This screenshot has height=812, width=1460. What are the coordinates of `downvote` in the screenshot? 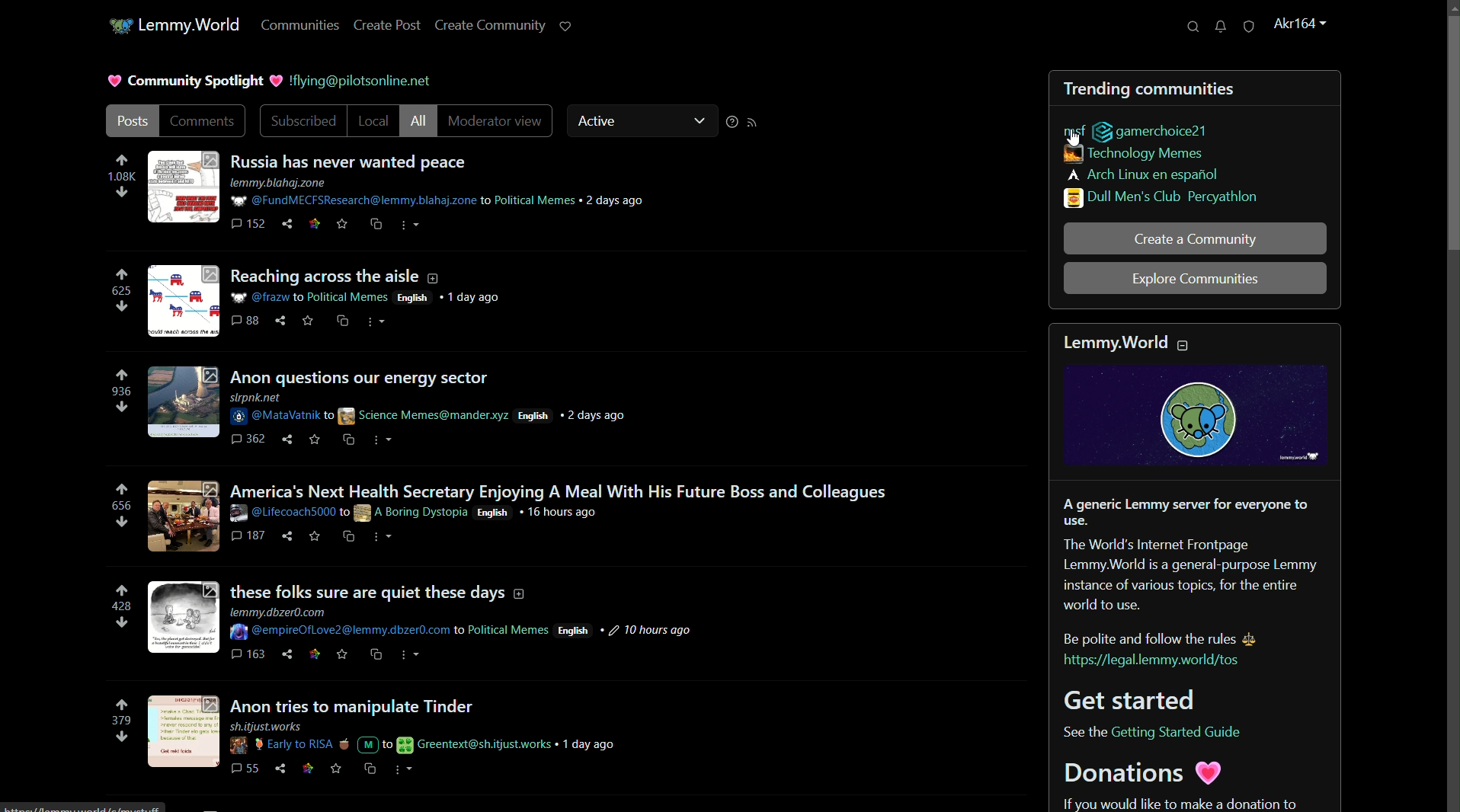 It's located at (121, 625).